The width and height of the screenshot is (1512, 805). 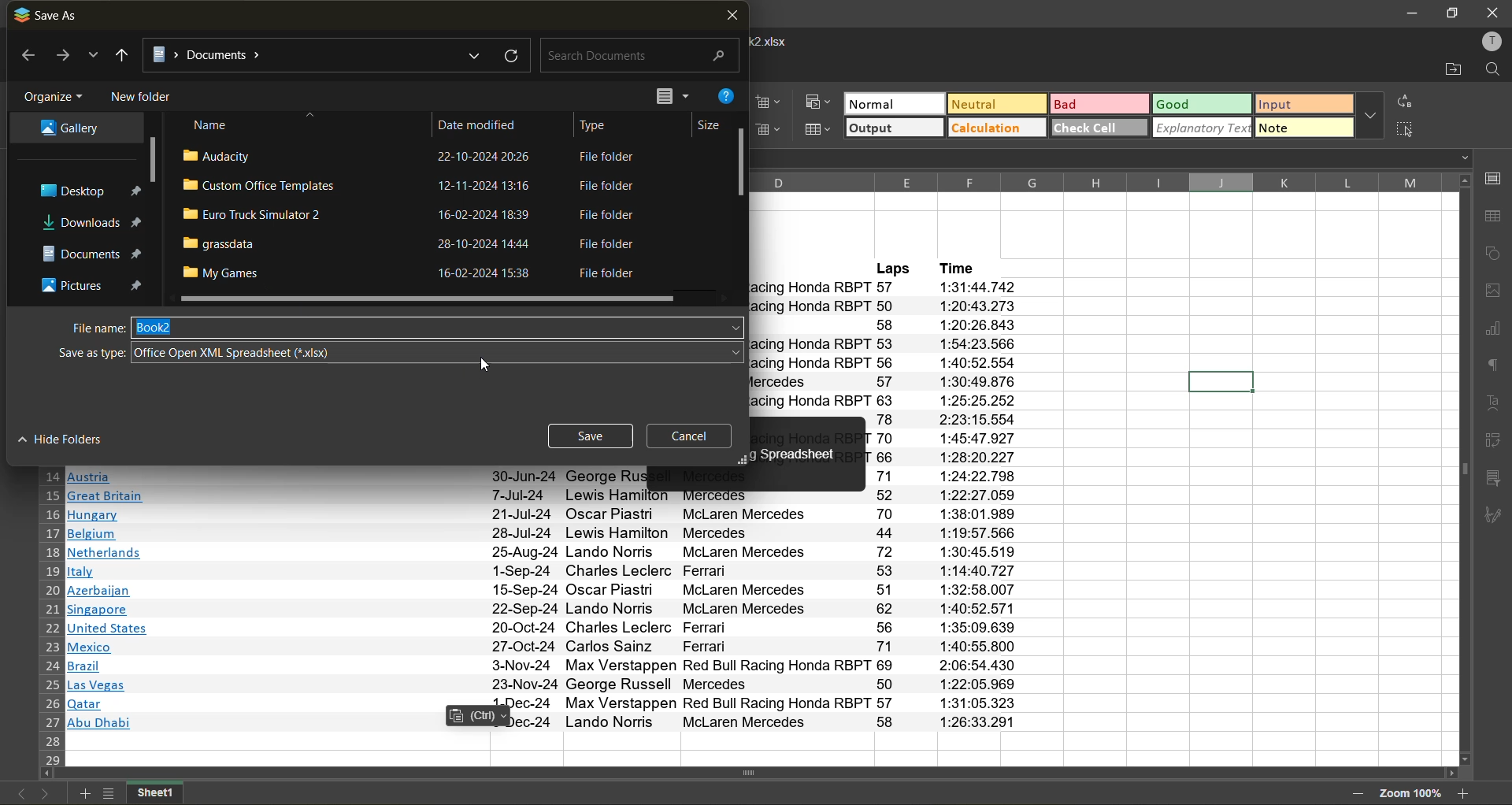 What do you see at coordinates (66, 129) in the screenshot?
I see `folder` at bounding box center [66, 129].